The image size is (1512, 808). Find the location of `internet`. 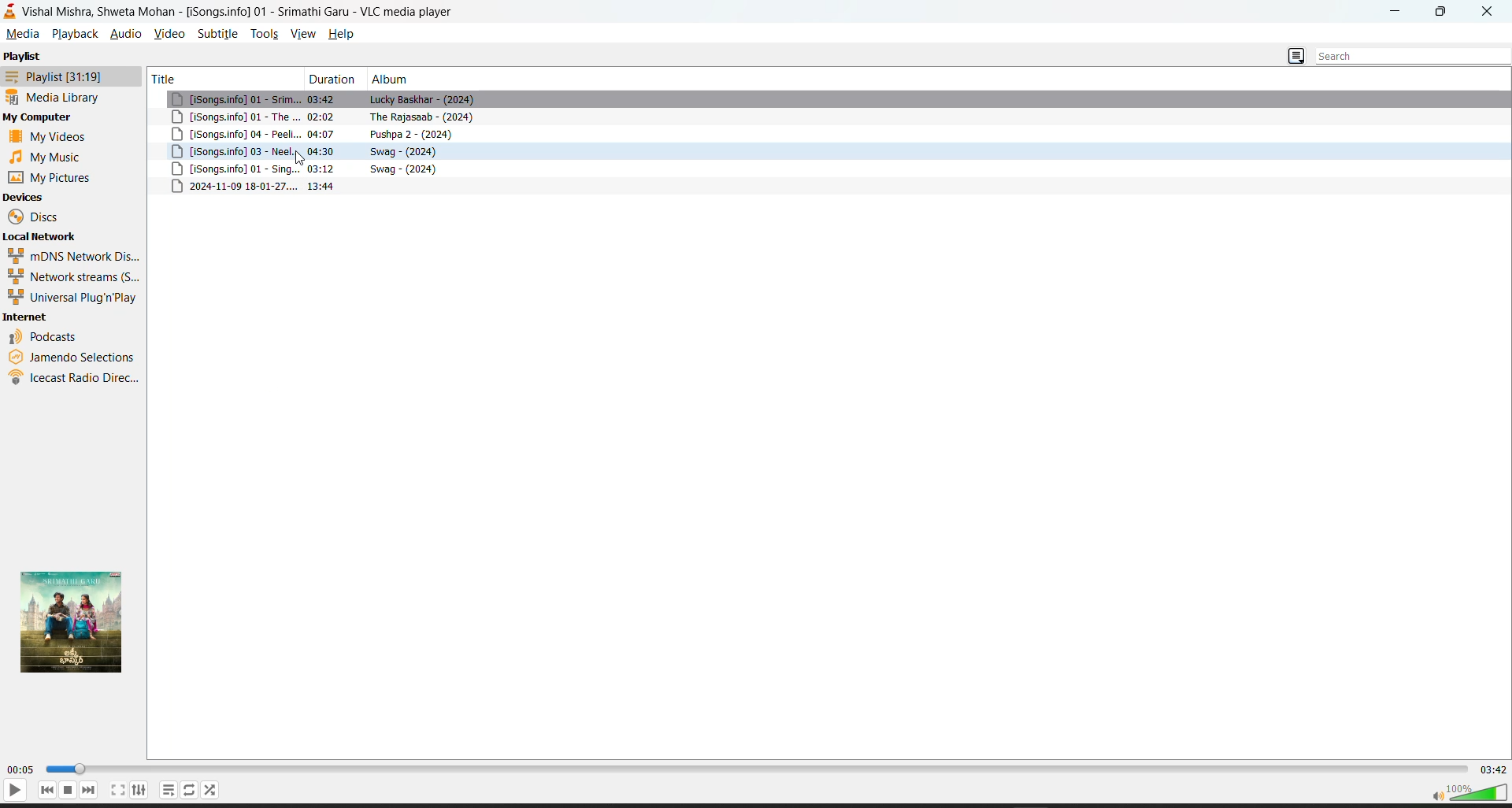

internet is located at coordinates (25, 317).